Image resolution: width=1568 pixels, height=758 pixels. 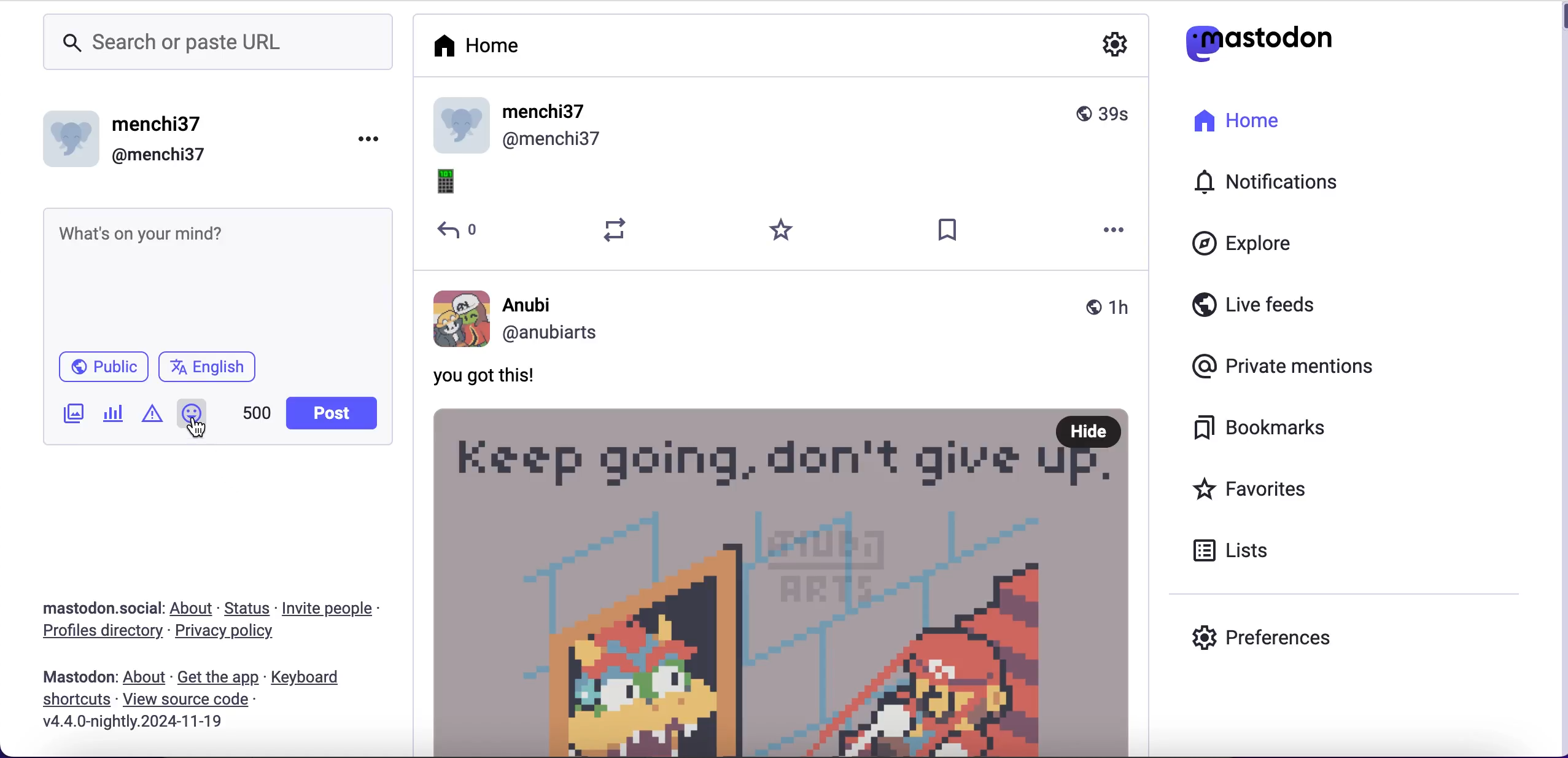 I want to click on search or paste url, so click(x=217, y=44).